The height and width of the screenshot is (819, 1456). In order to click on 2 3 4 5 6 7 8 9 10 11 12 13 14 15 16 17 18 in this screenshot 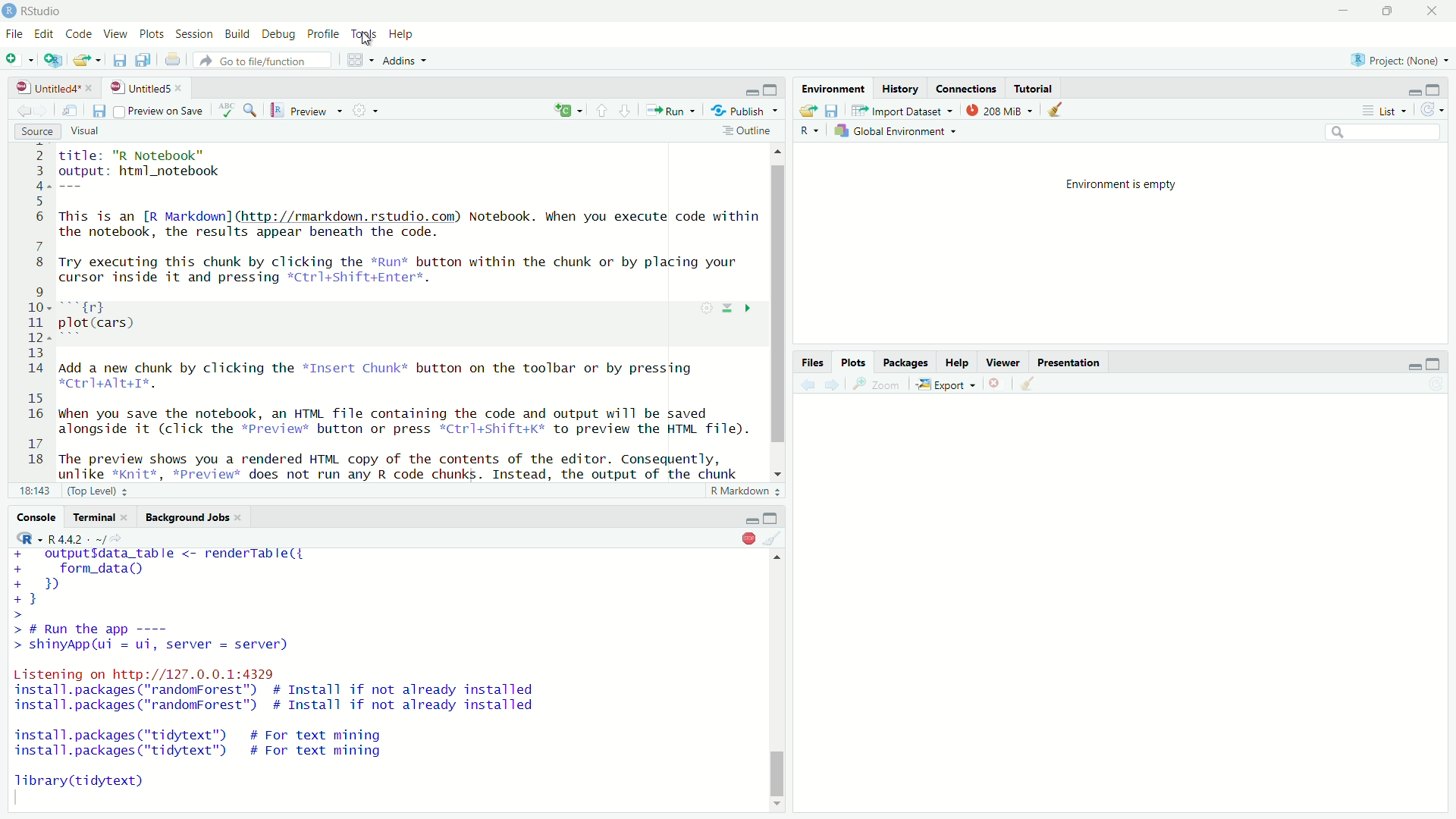, I will do `click(32, 311)`.